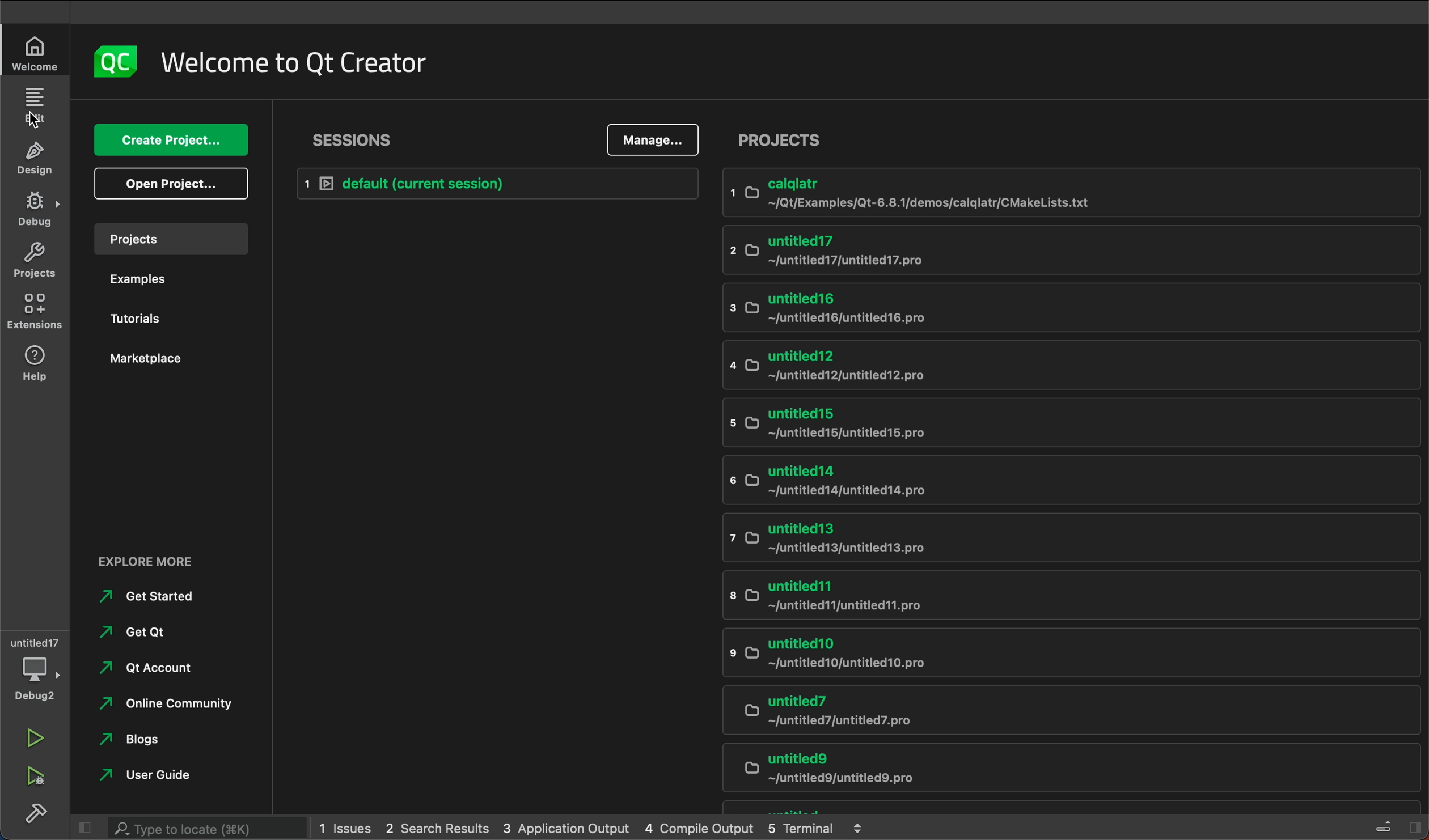  I want to click on build, so click(34, 812).